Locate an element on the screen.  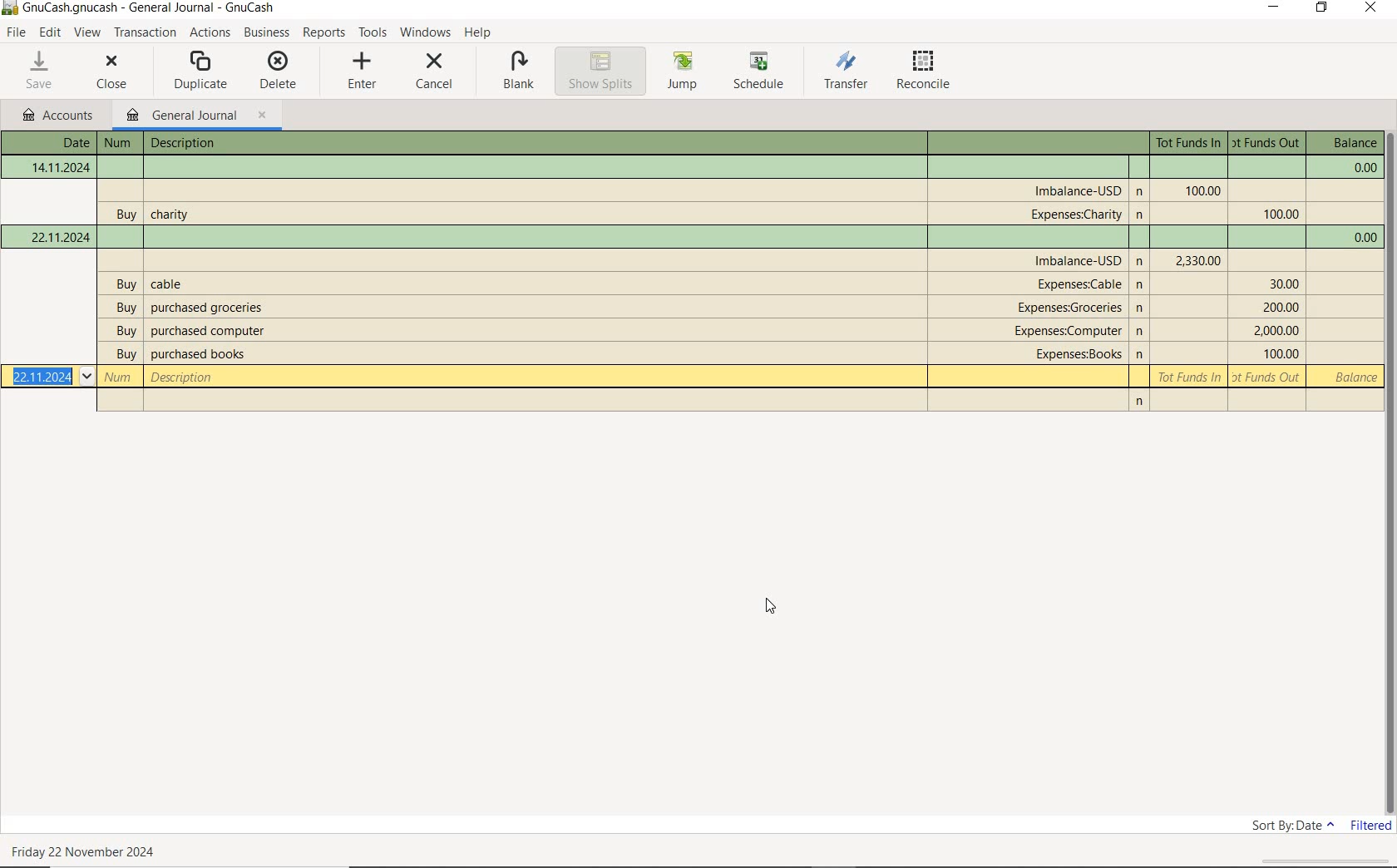
buy is located at coordinates (124, 215).